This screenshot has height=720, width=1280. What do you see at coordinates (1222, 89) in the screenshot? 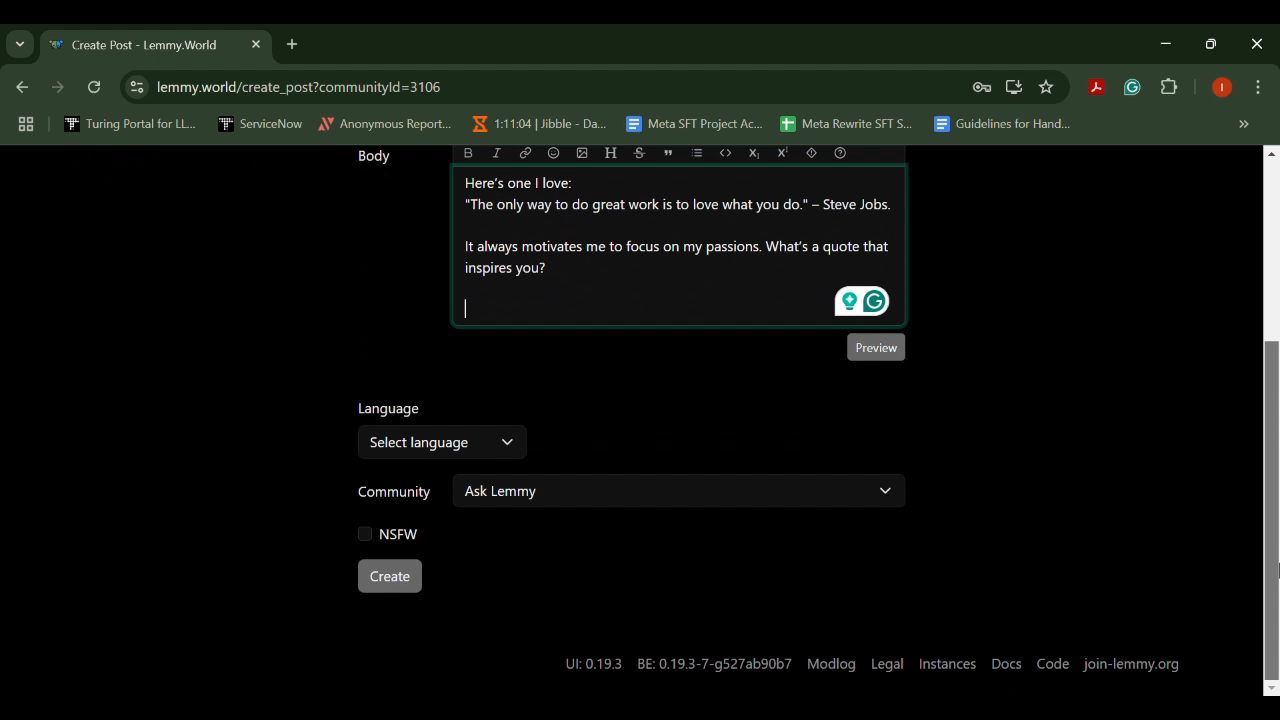
I see `Browser Profile ` at bounding box center [1222, 89].